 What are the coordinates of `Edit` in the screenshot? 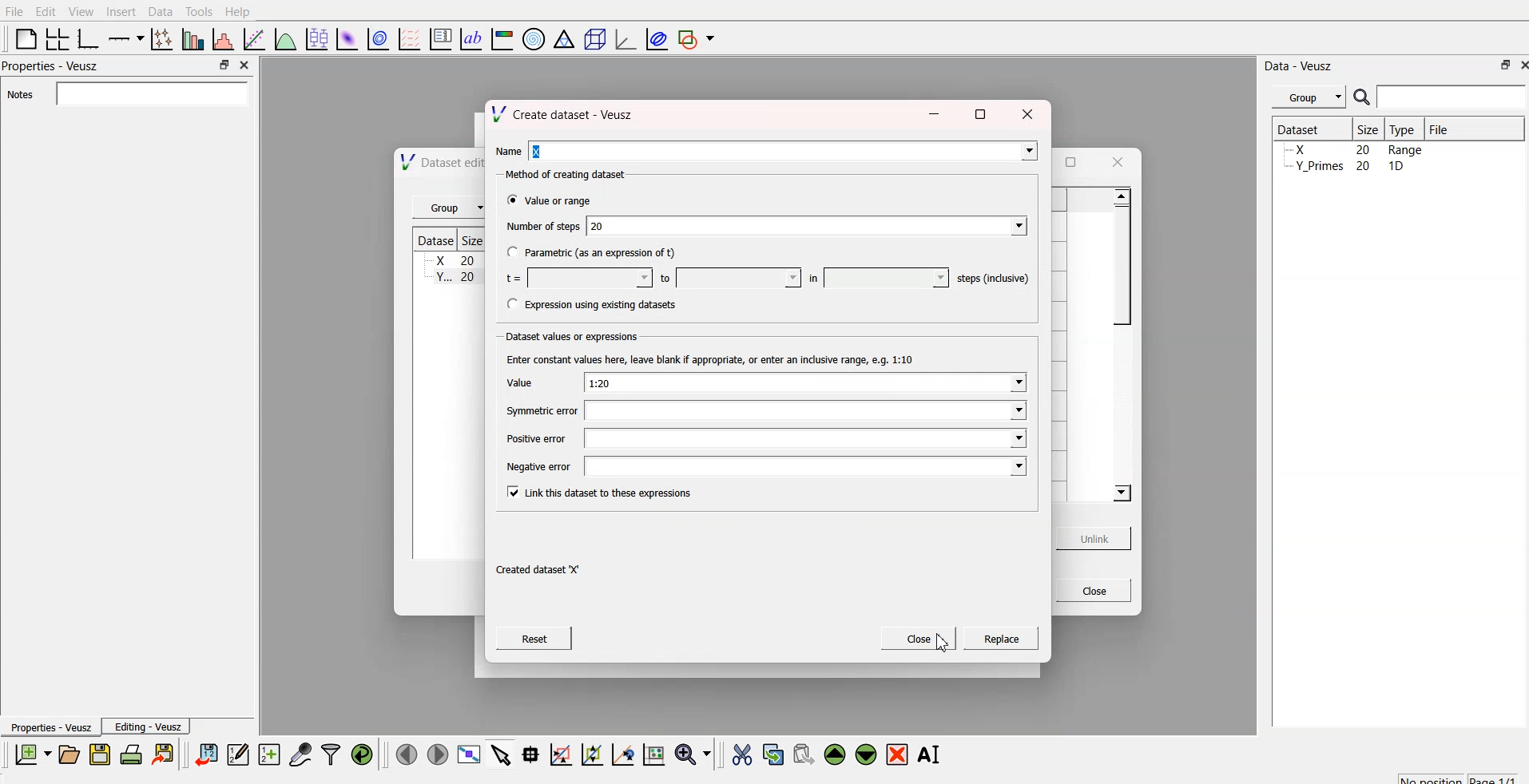 It's located at (43, 10).